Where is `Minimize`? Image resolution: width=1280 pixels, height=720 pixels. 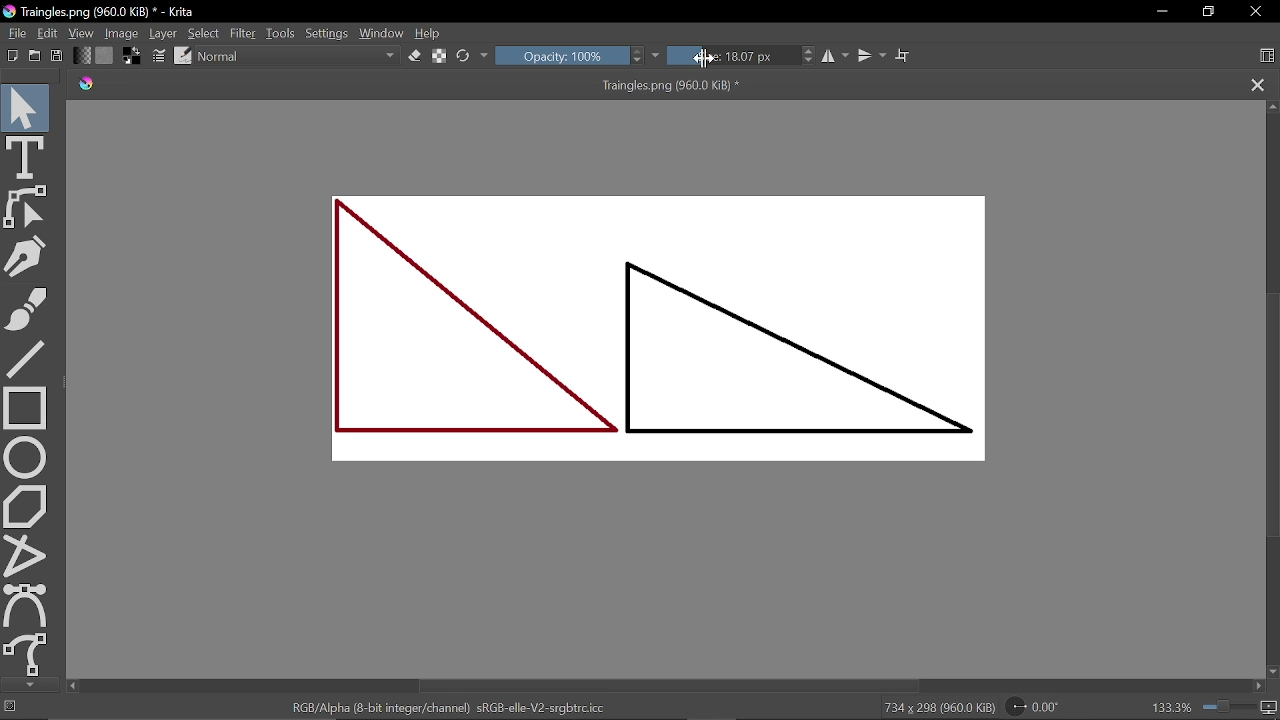
Minimize is located at coordinates (1160, 11).